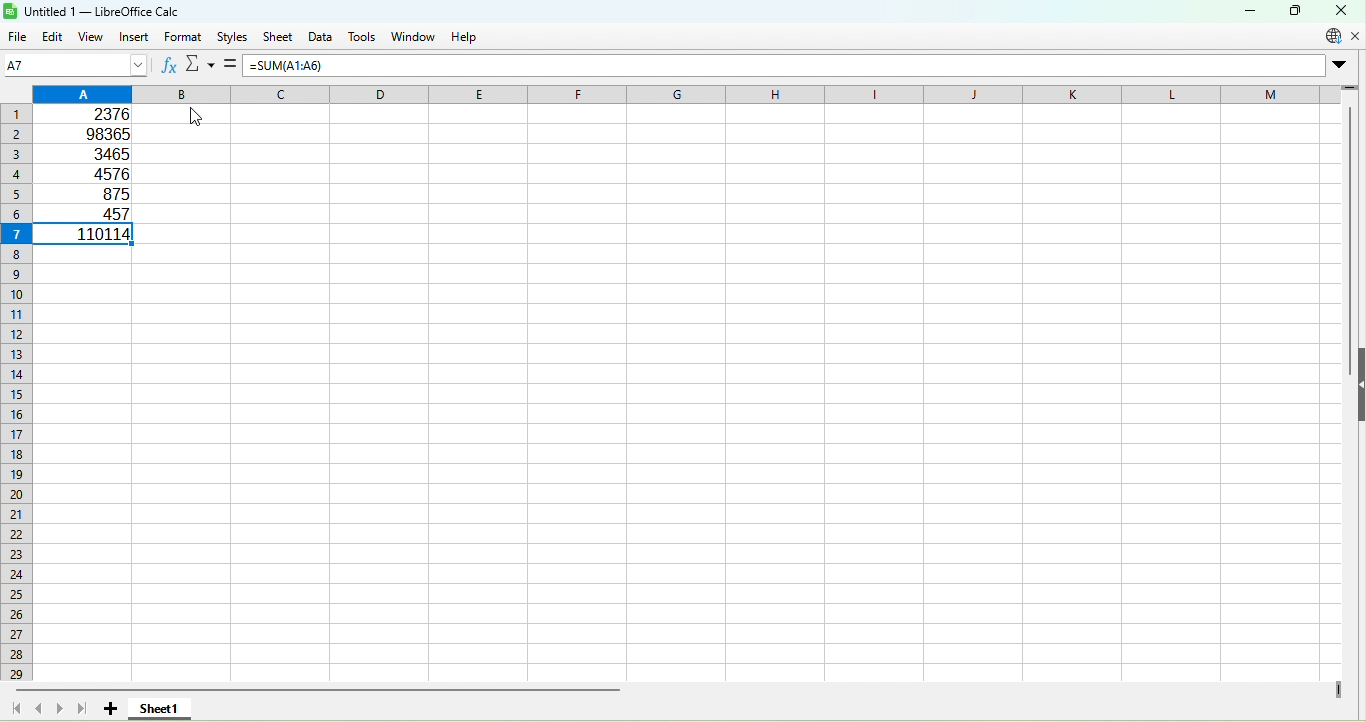 This screenshot has height=722, width=1366. Describe the element at coordinates (1351, 202) in the screenshot. I see `Vertical scroll bar` at that location.